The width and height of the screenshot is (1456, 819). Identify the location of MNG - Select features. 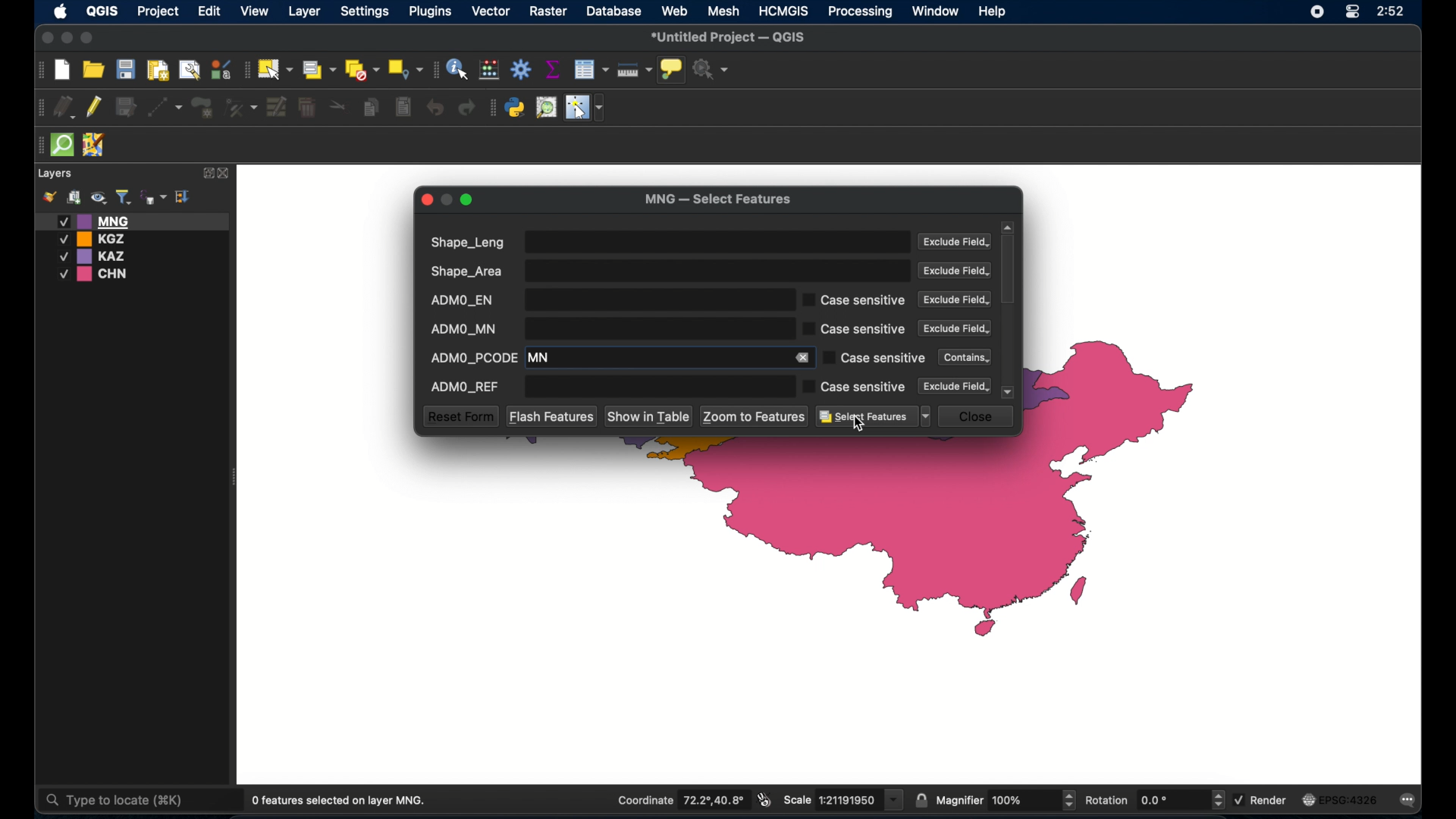
(718, 200).